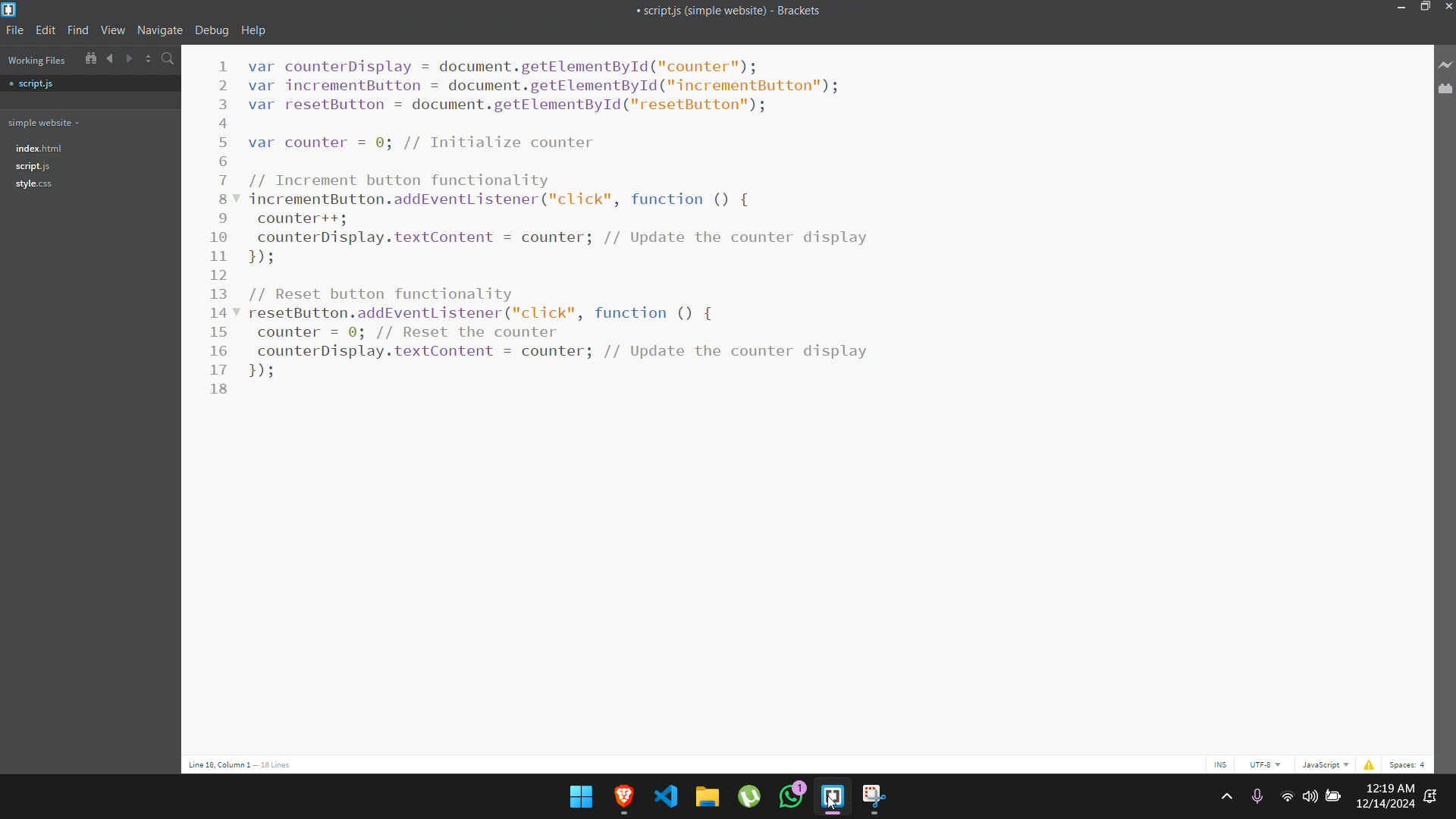  What do you see at coordinates (874, 799) in the screenshot?
I see `snipping tool` at bounding box center [874, 799].